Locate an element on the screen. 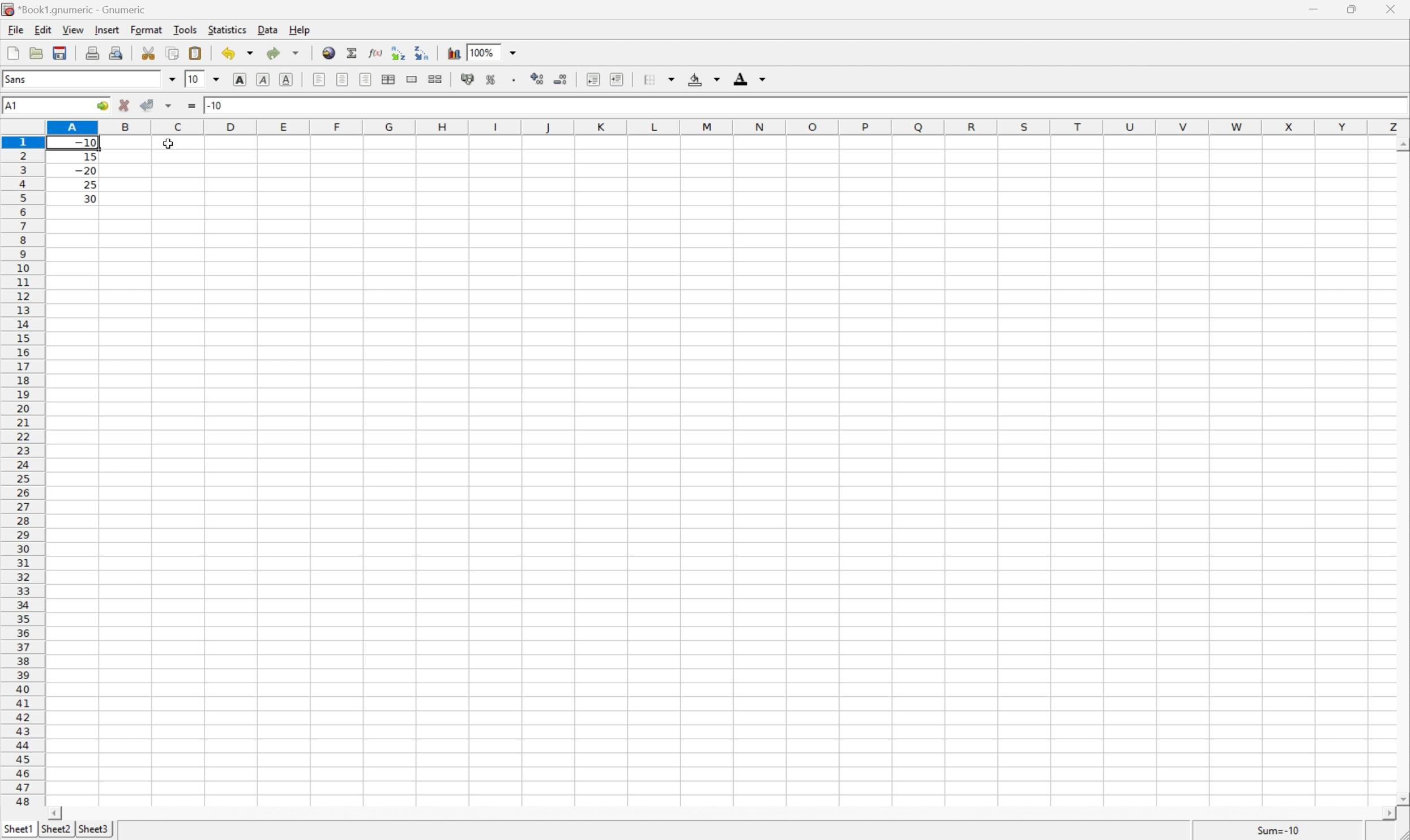  10 is located at coordinates (193, 79).